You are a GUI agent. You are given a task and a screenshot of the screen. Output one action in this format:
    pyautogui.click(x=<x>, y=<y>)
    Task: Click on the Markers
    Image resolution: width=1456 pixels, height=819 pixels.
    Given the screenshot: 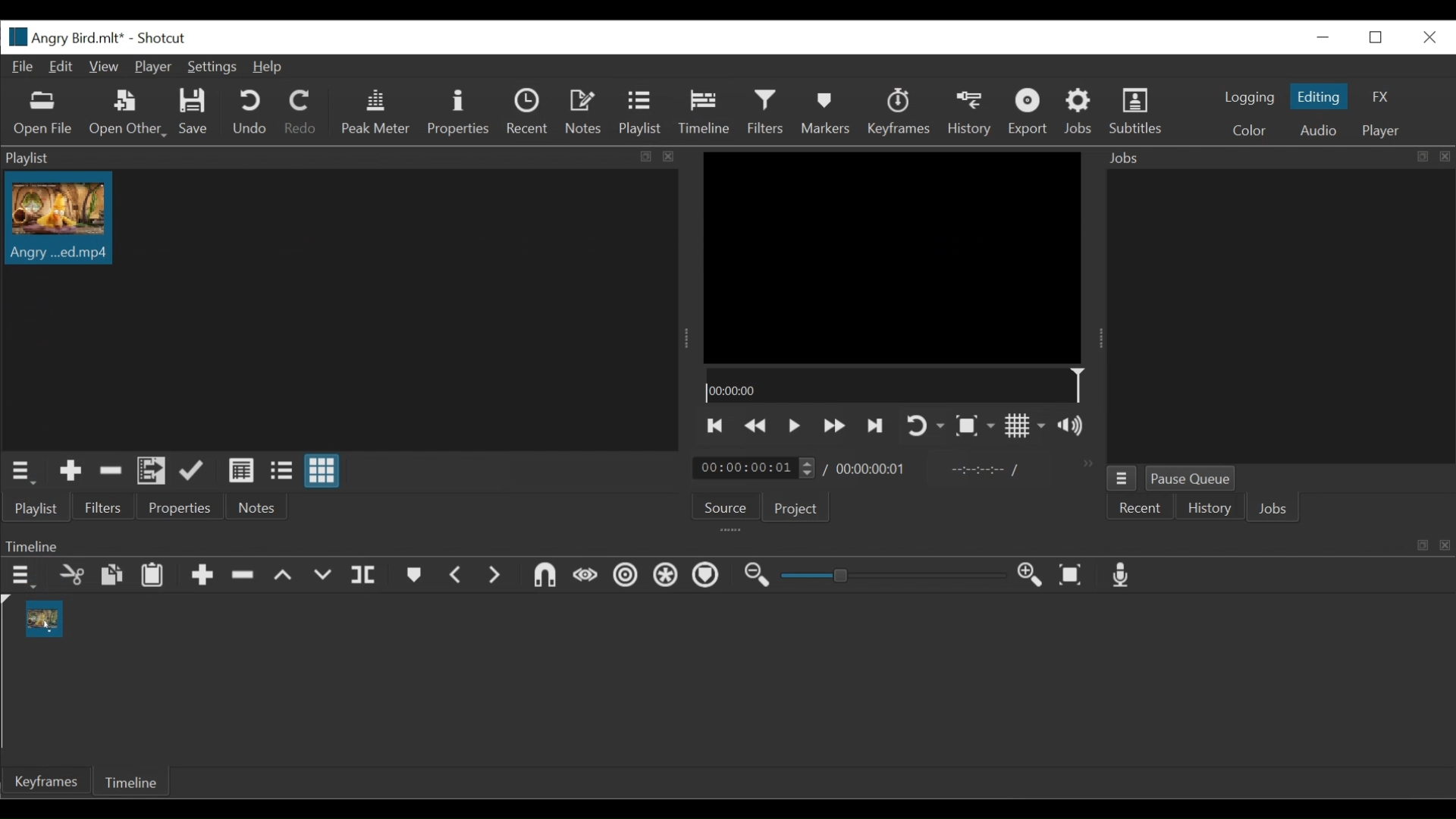 What is the action you would take?
    pyautogui.click(x=707, y=575)
    